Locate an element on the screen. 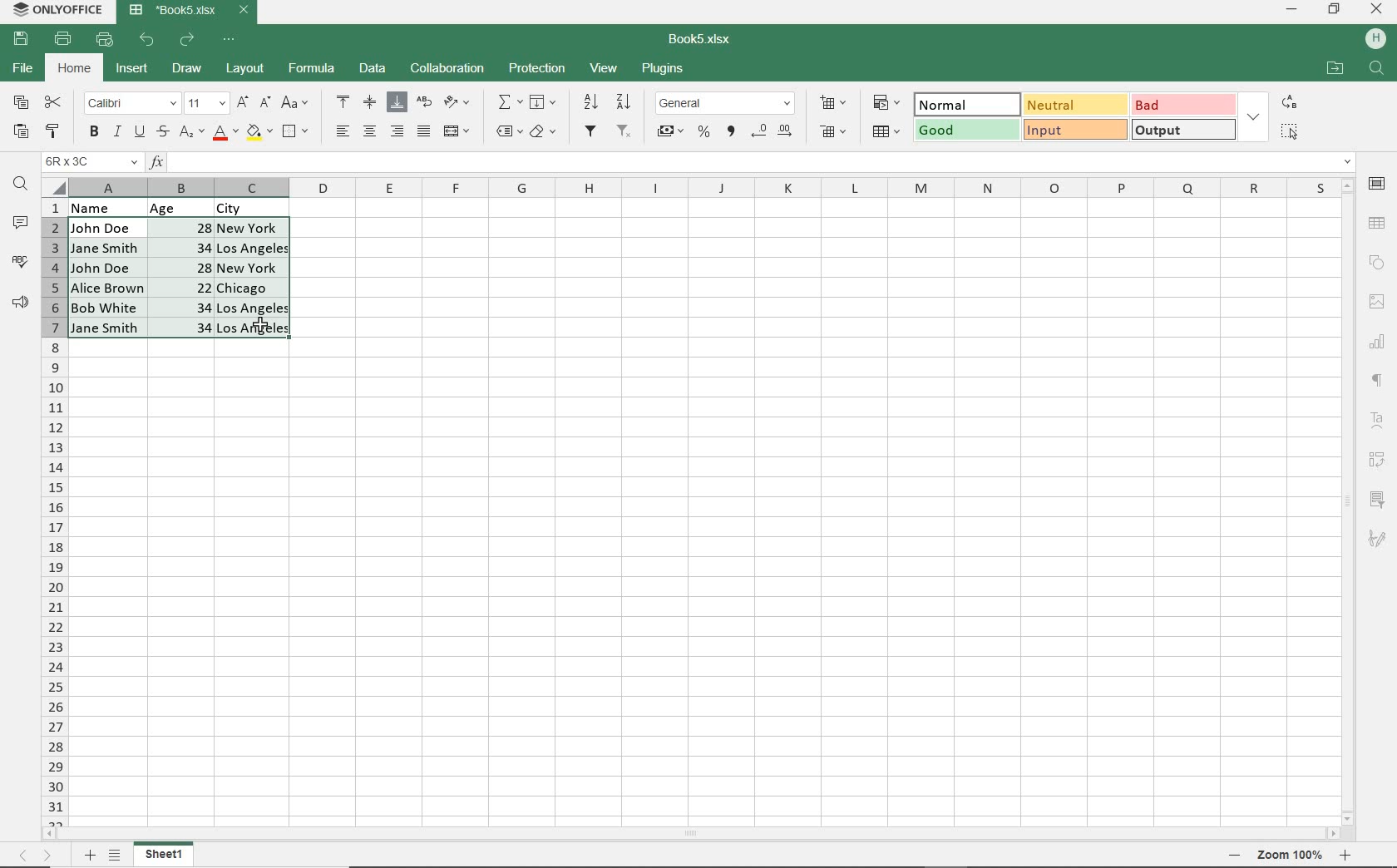  WRAP TEXT is located at coordinates (425, 104).